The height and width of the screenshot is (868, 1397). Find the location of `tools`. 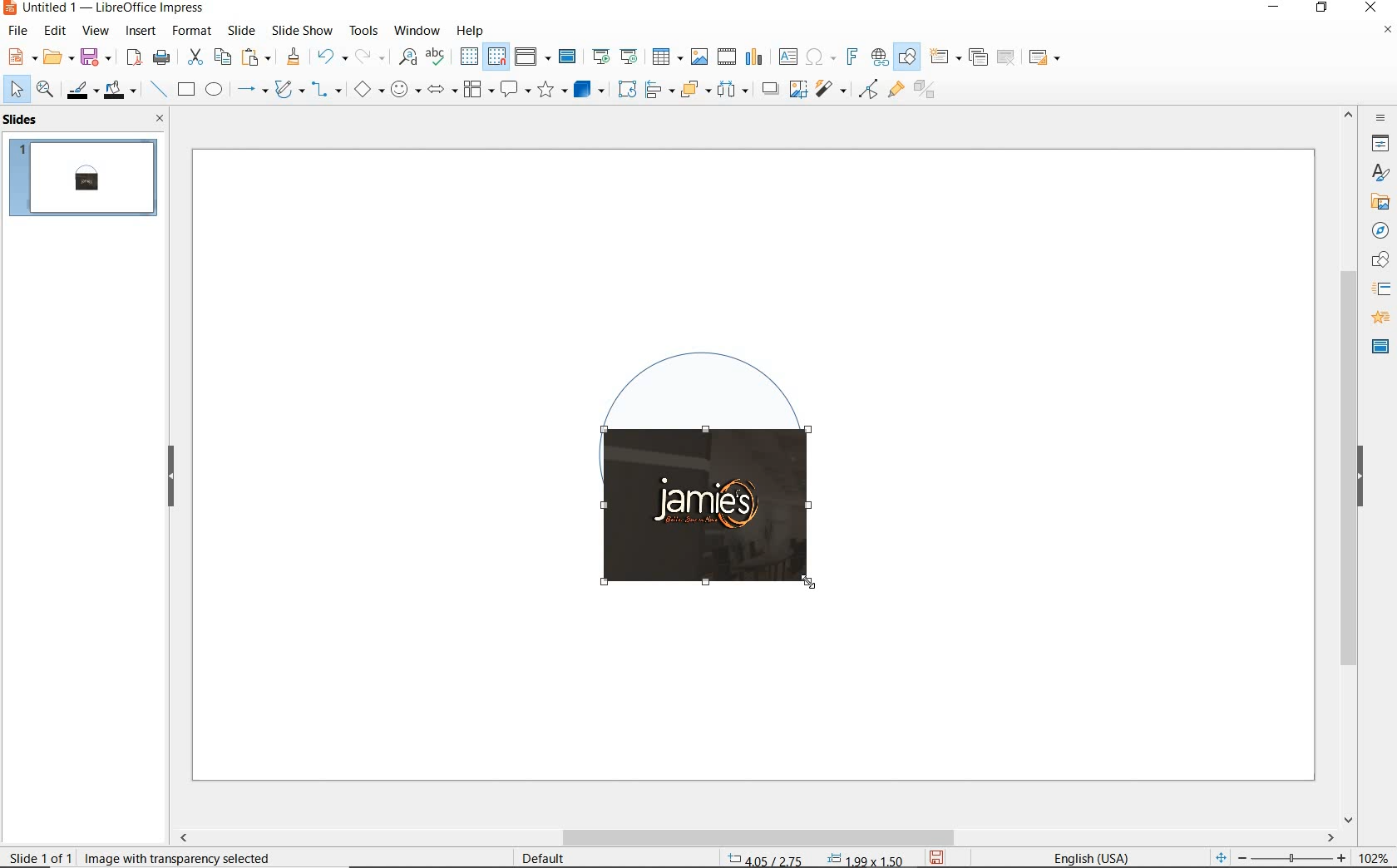

tools is located at coordinates (363, 30).